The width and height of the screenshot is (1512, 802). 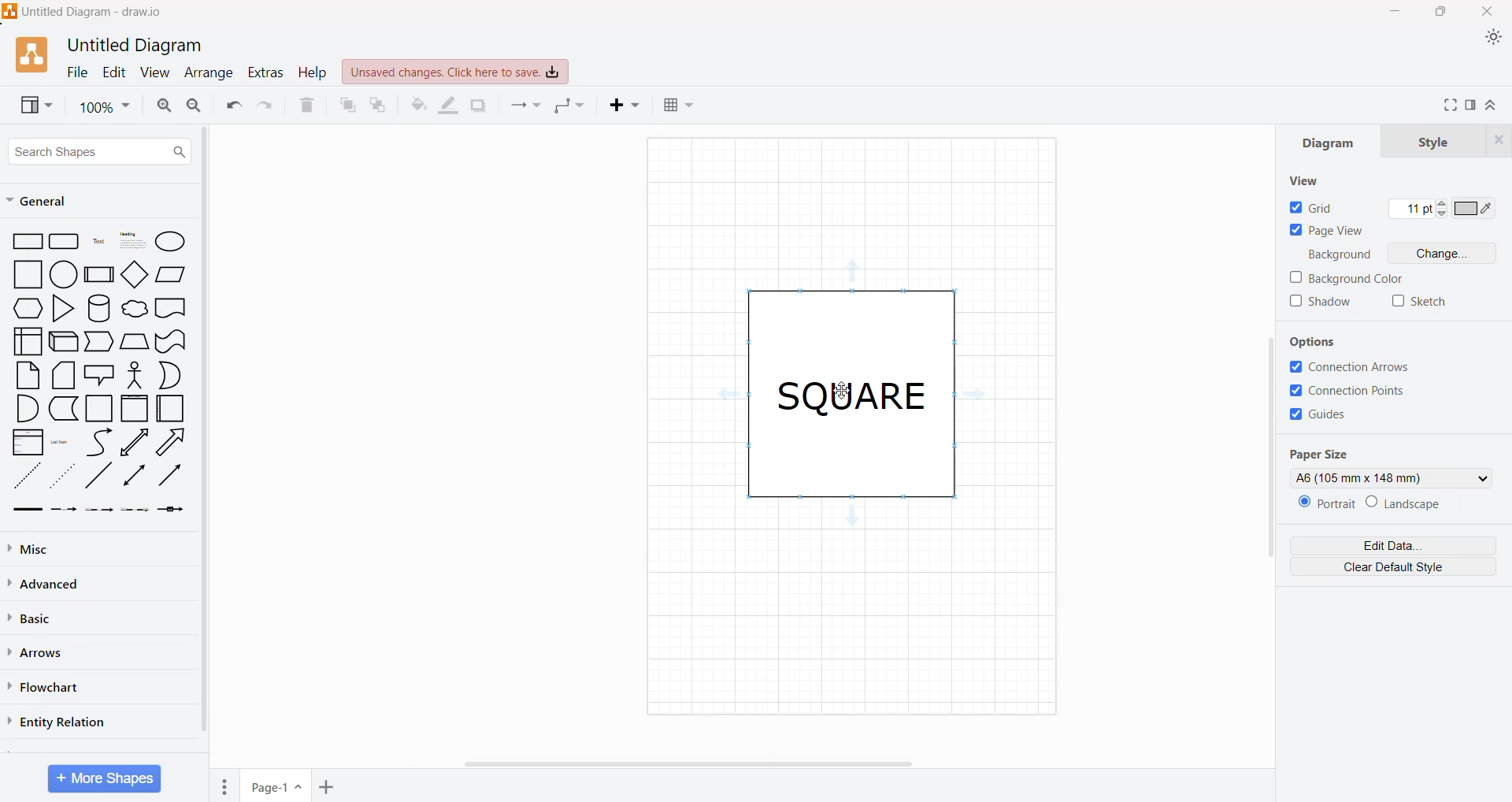 What do you see at coordinates (134, 408) in the screenshot?
I see `frame` at bounding box center [134, 408].